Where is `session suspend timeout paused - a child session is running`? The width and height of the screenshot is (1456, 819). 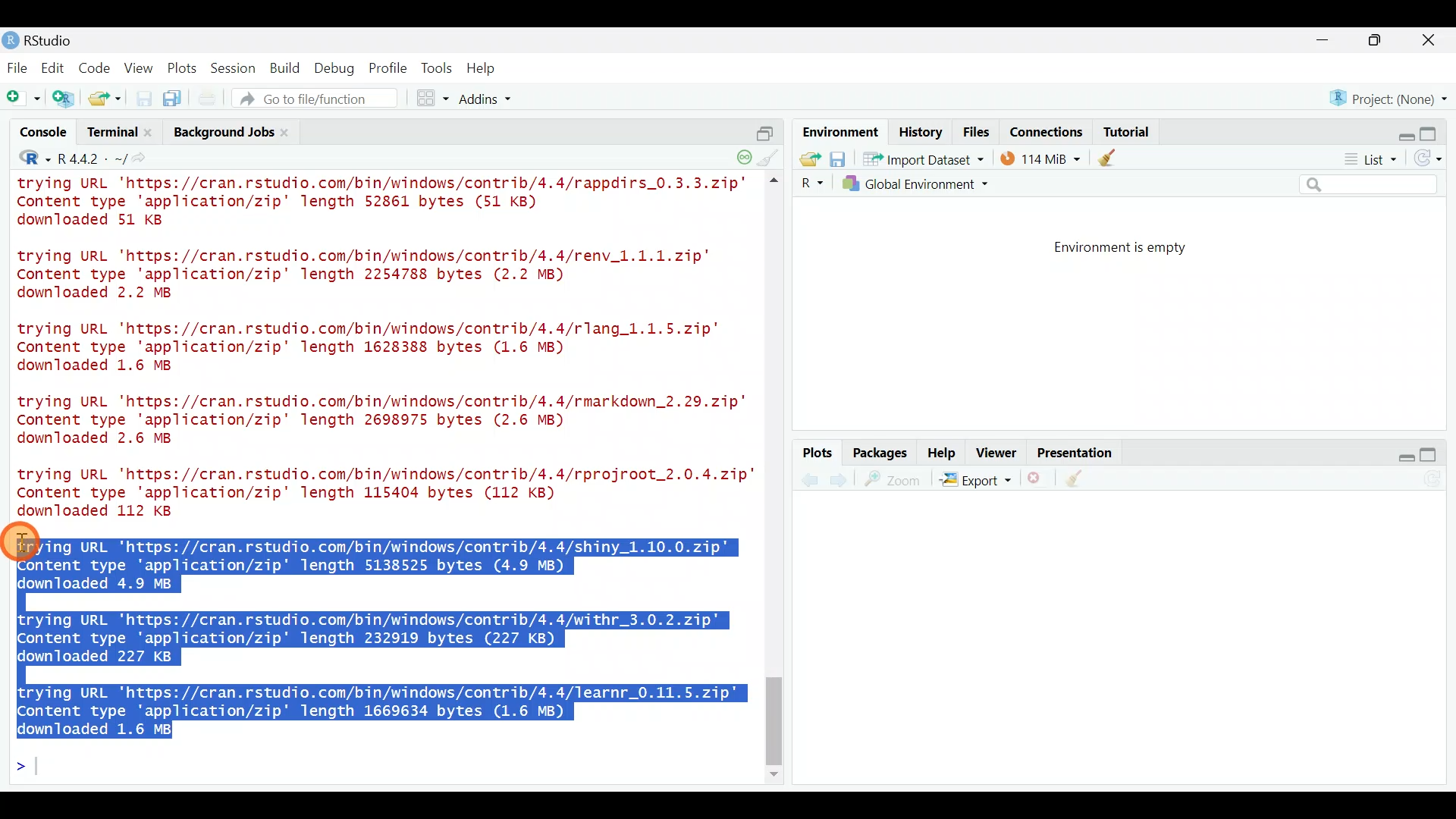 session suspend timeout paused - a child session is running is located at coordinates (743, 152).